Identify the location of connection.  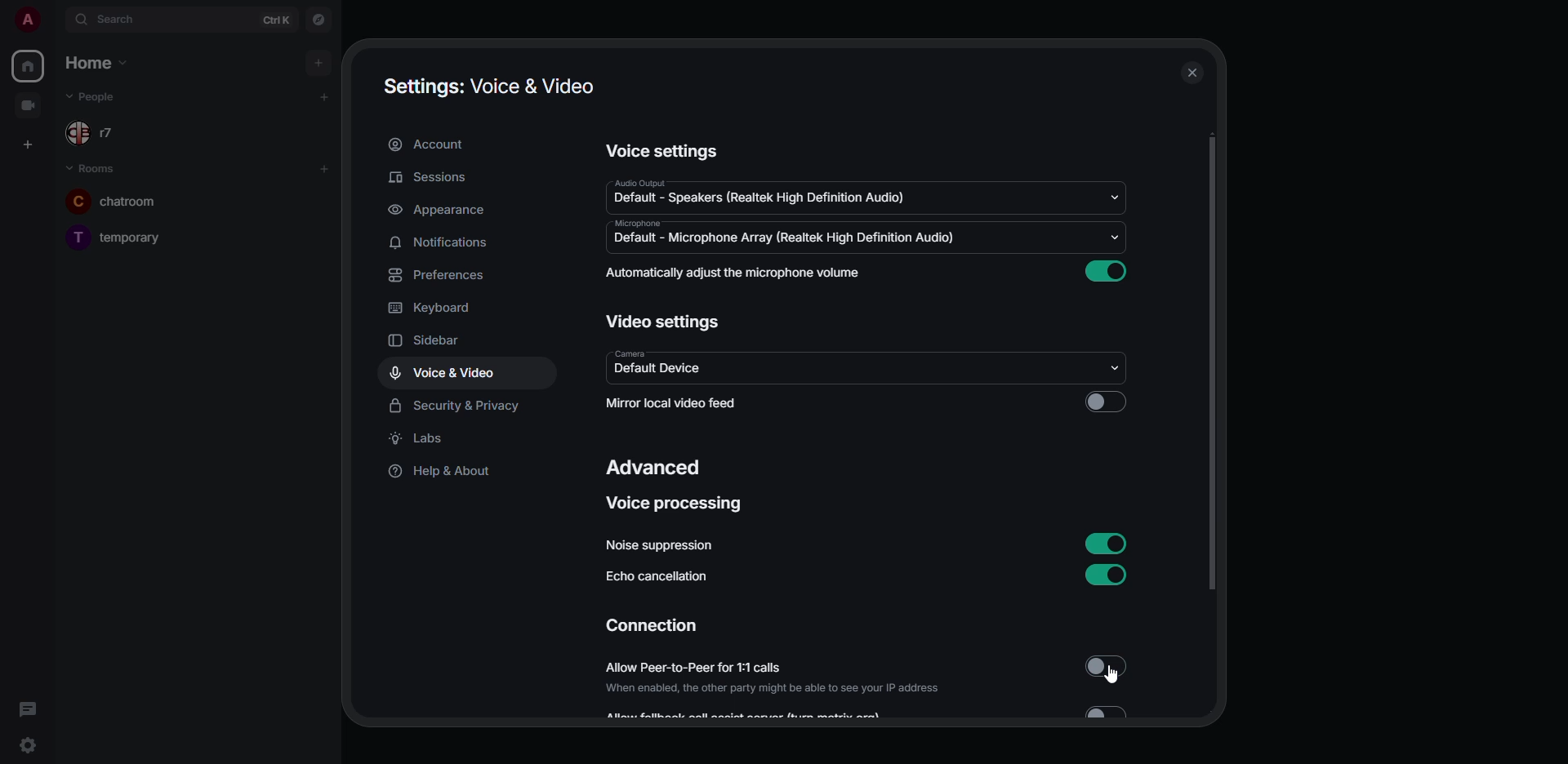
(650, 627).